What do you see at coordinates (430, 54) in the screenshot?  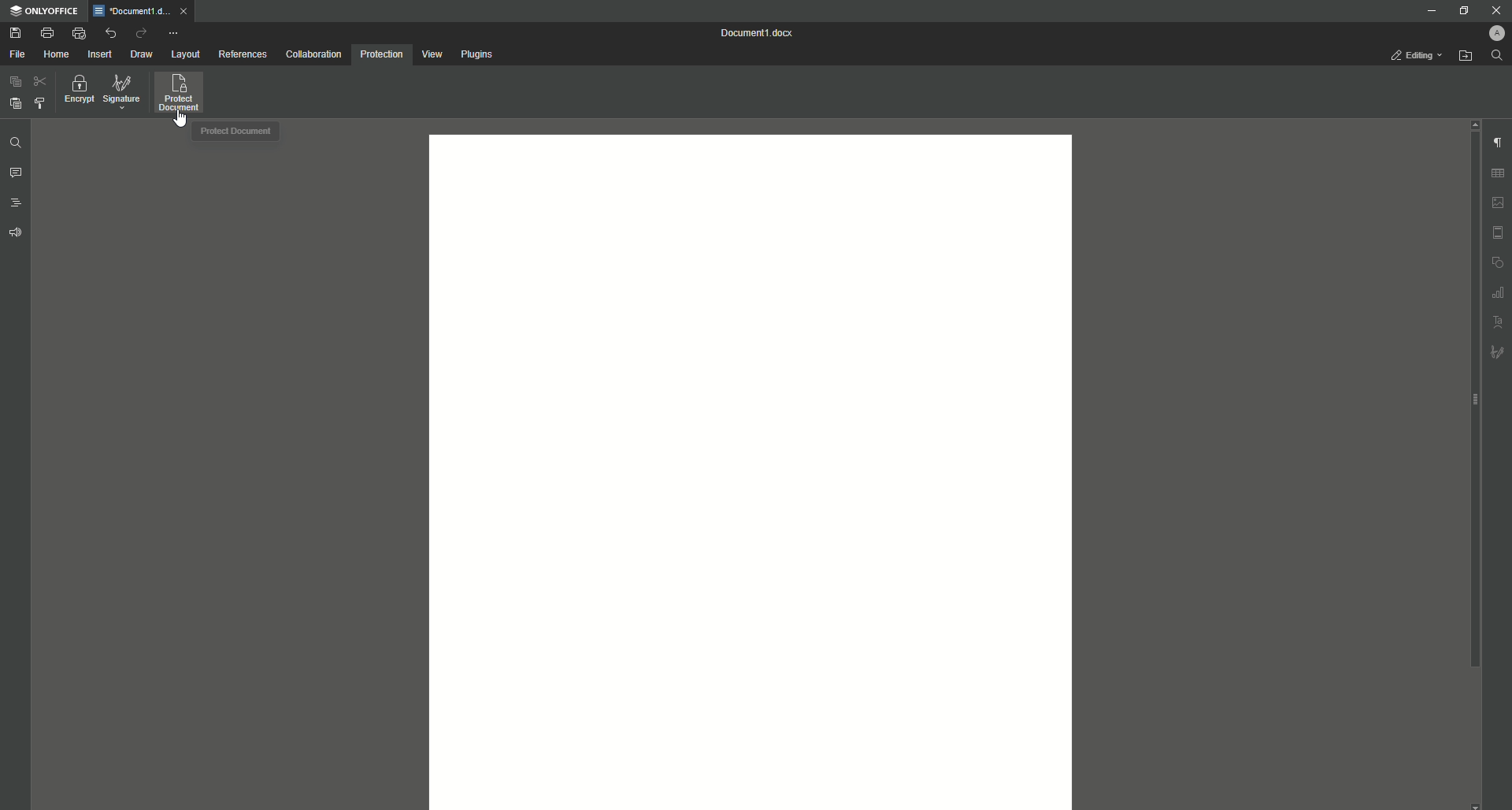 I see `View` at bounding box center [430, 54].